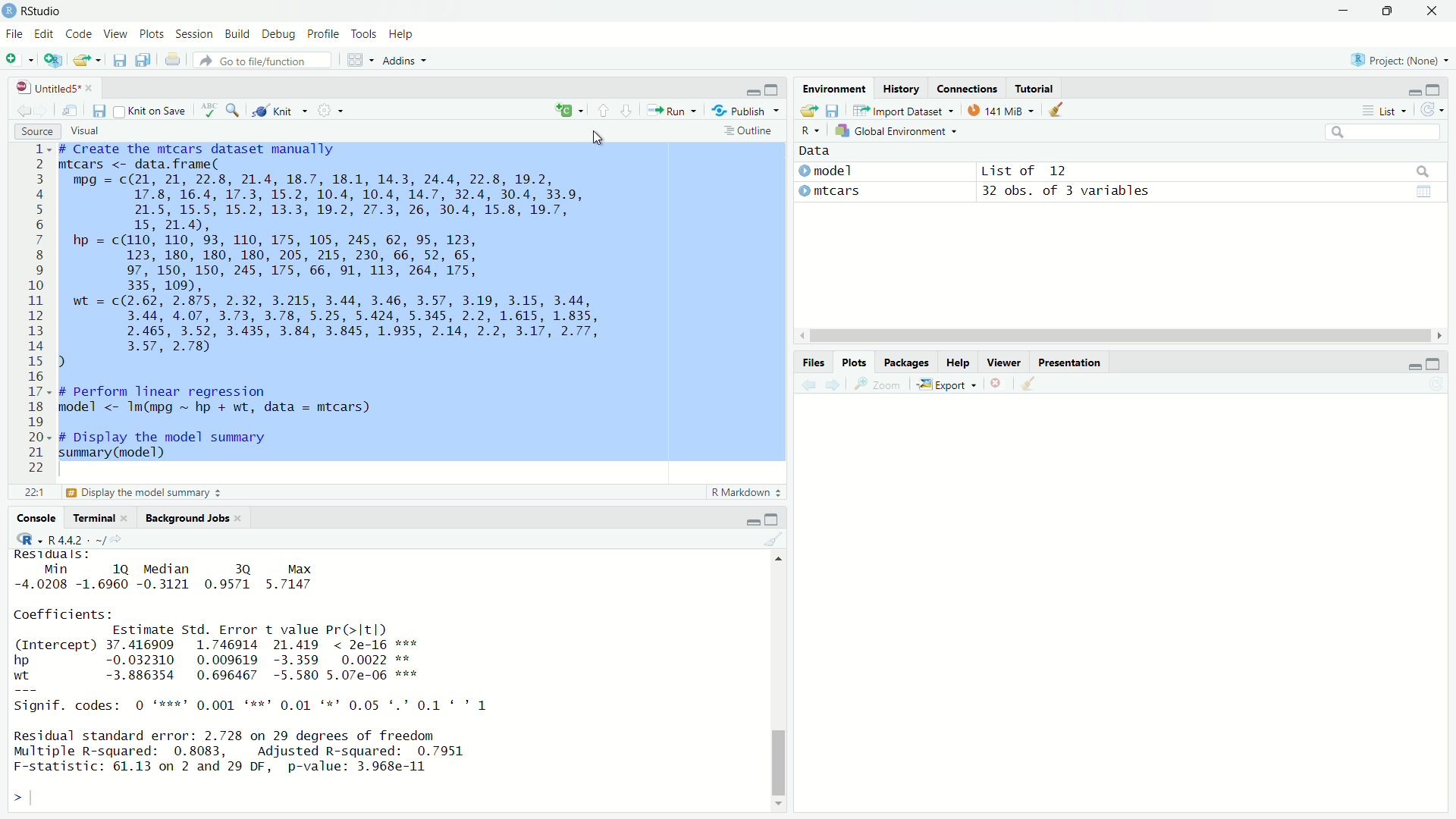 This screenshot has width=1456, height=819. What do you see at coordinates (1034, 90) in the screenshot?
I see `Tutorial` at bounding box center [1034, 90].